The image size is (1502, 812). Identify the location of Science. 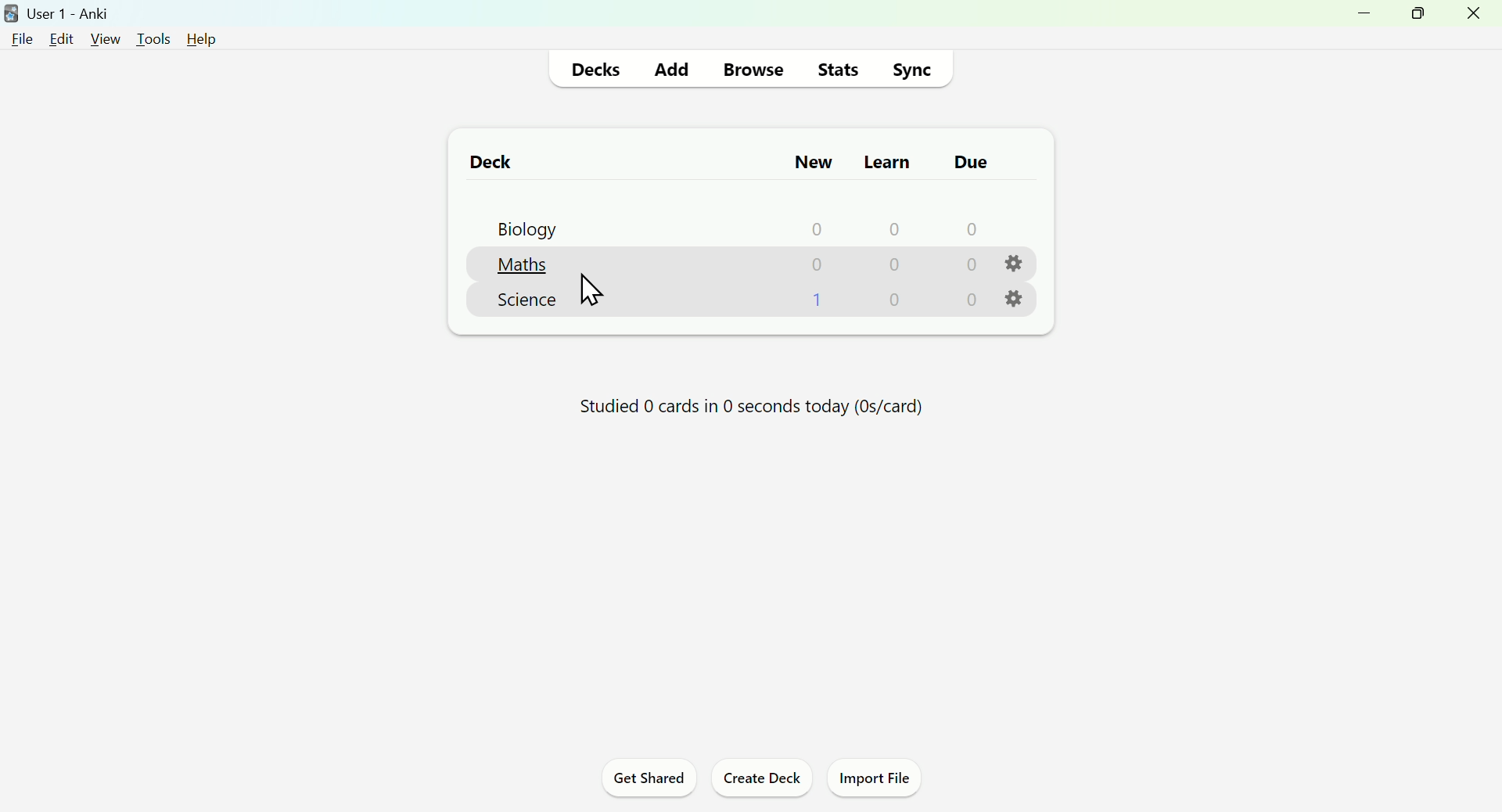
(526, 304).